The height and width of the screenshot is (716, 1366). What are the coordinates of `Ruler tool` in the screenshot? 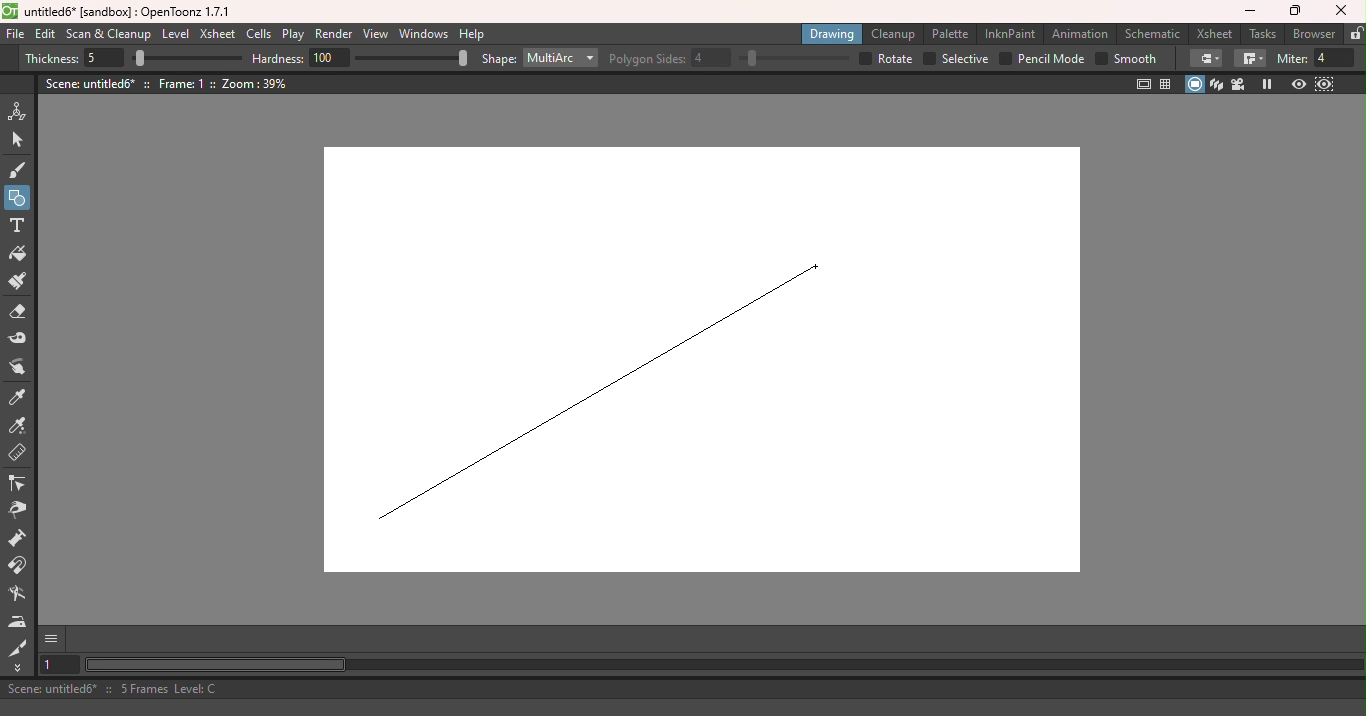 It's located at (16, 453).